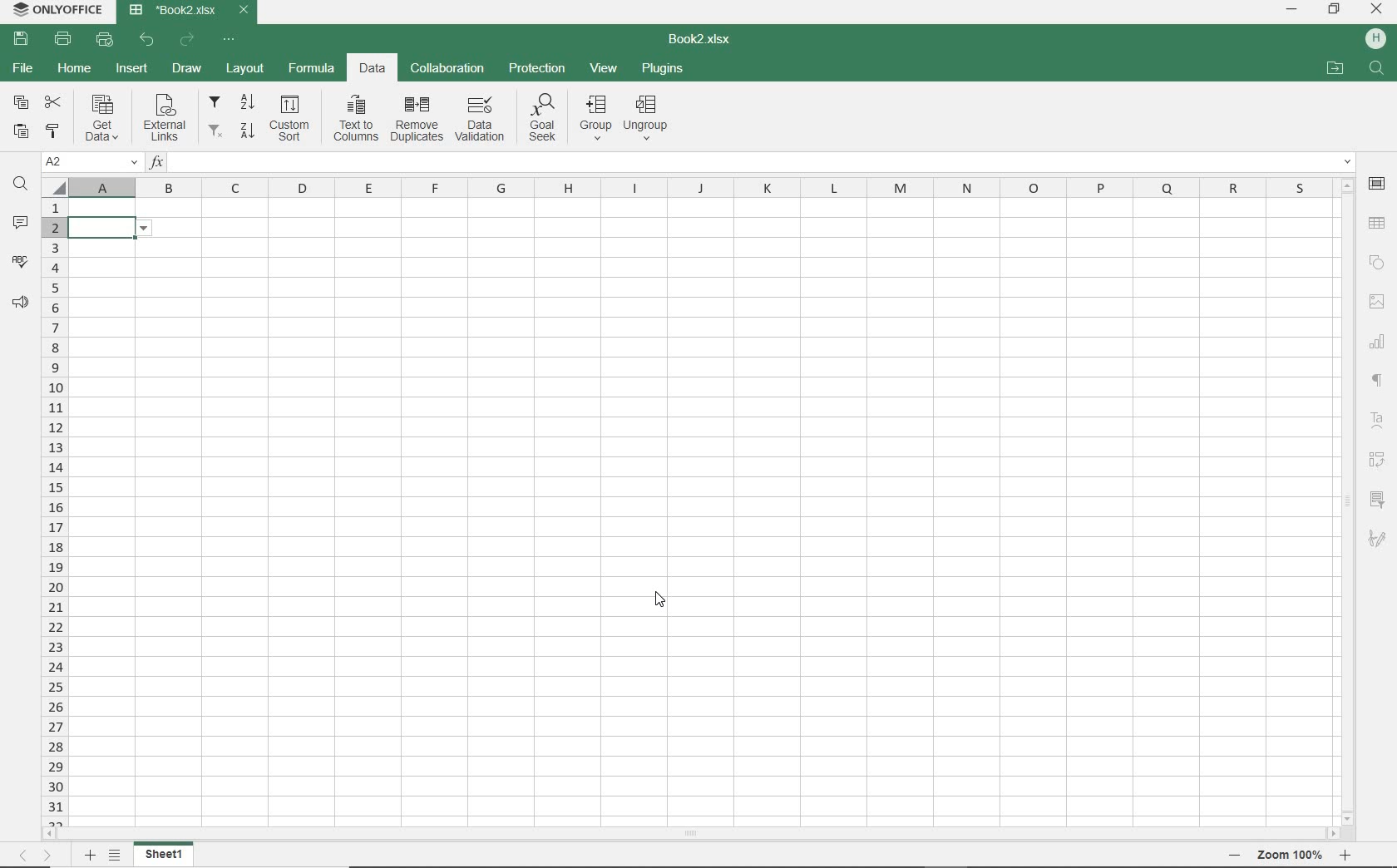 This screenshot has width=1397, height=868. I want to click on ZOOM OUT OR ZOOM IN, so click(1285, 856).